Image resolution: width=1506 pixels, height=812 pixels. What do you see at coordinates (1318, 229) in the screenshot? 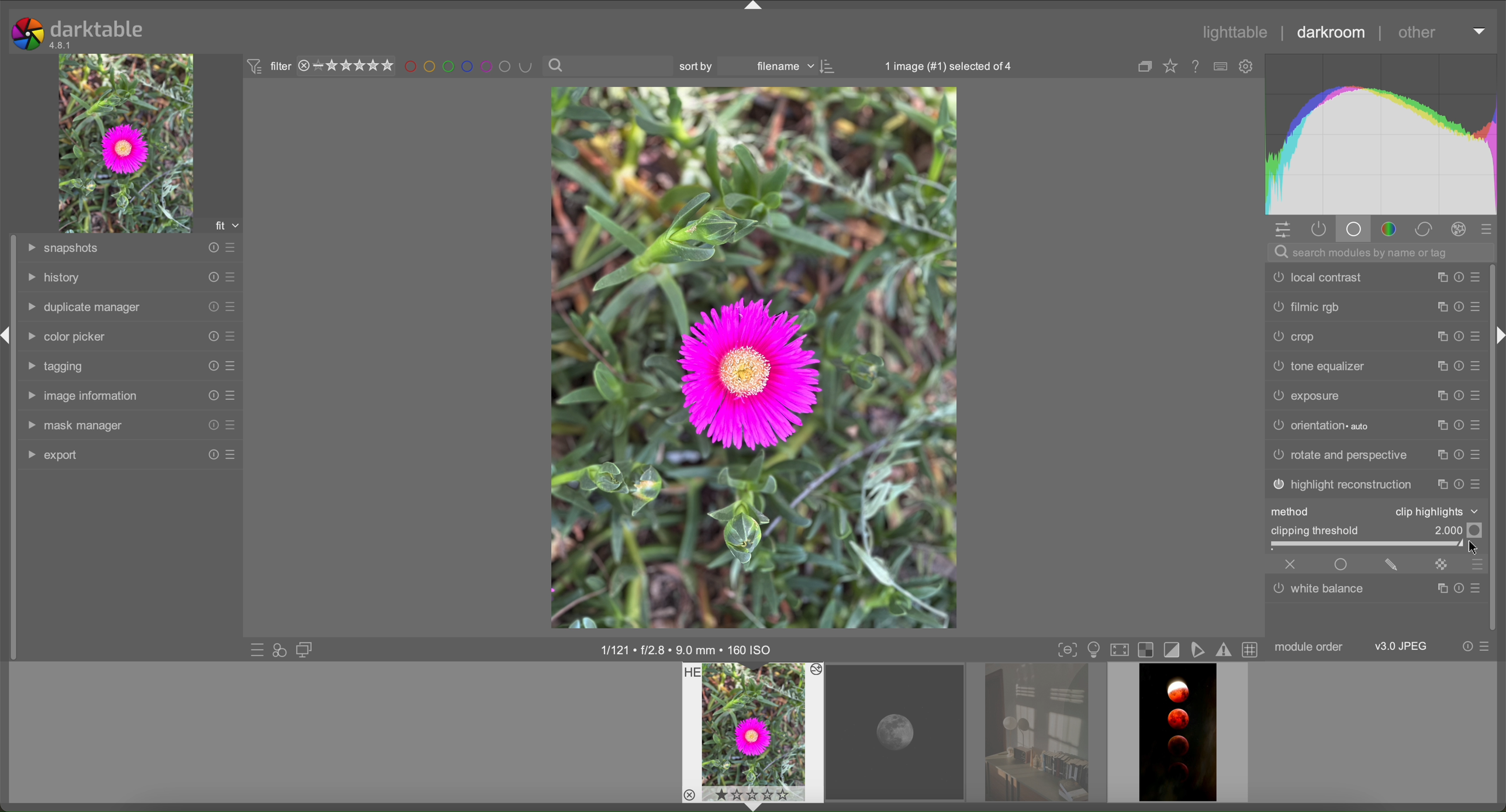
I see `active modules` at bounding box center [1318, 229].